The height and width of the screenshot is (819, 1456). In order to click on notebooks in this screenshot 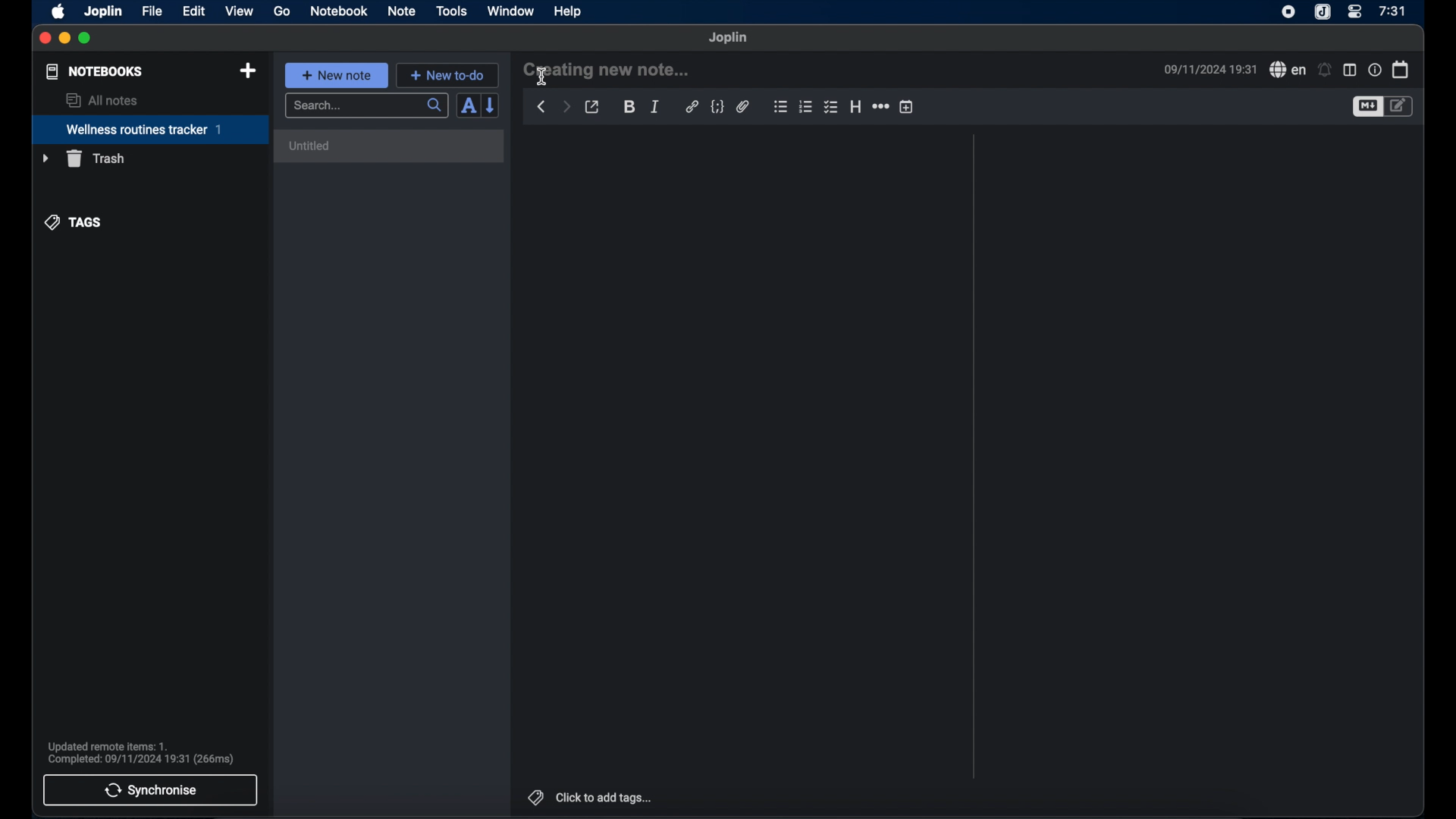, I will do `click(95, 71)`.